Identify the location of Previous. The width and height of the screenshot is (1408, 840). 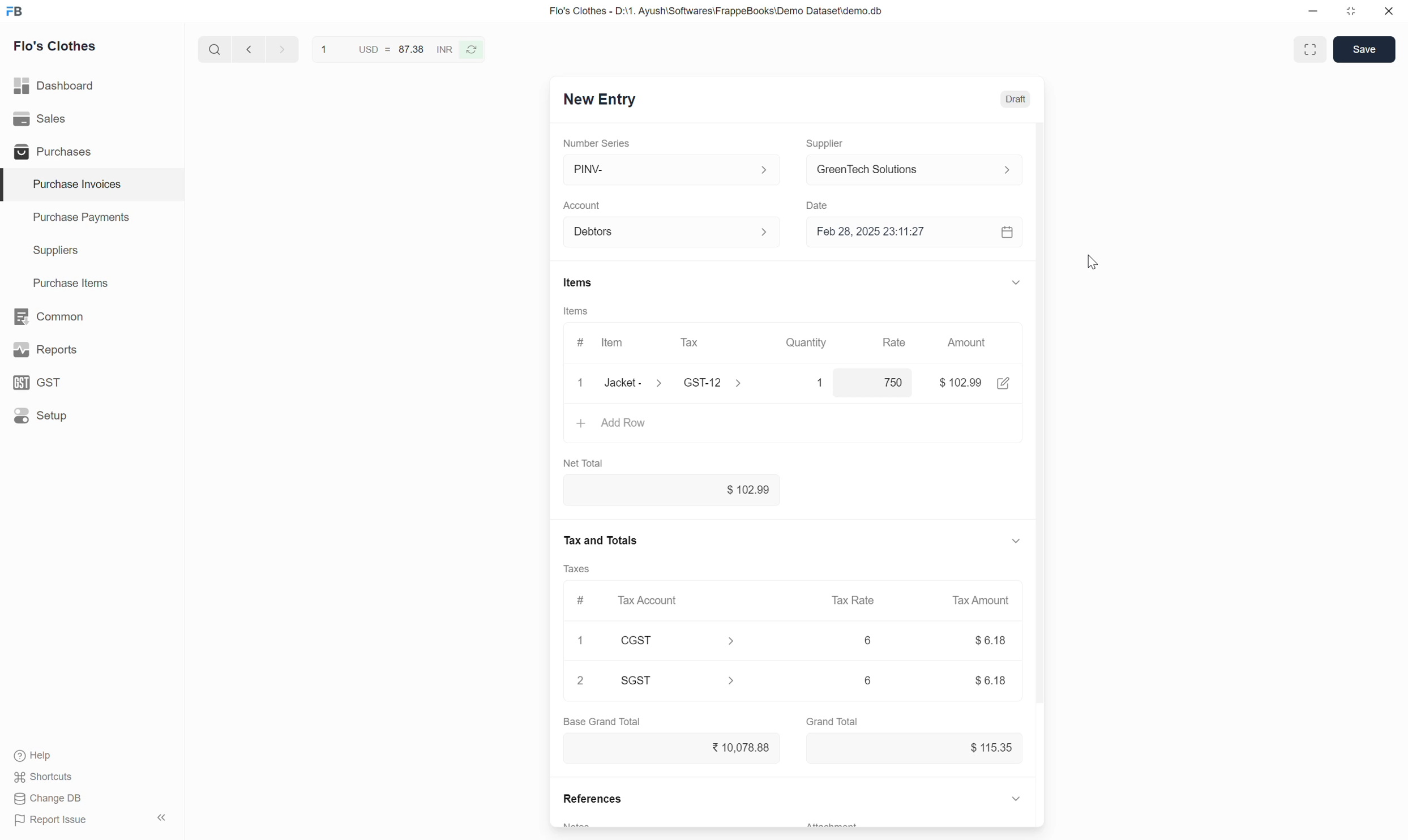
(249, 49).